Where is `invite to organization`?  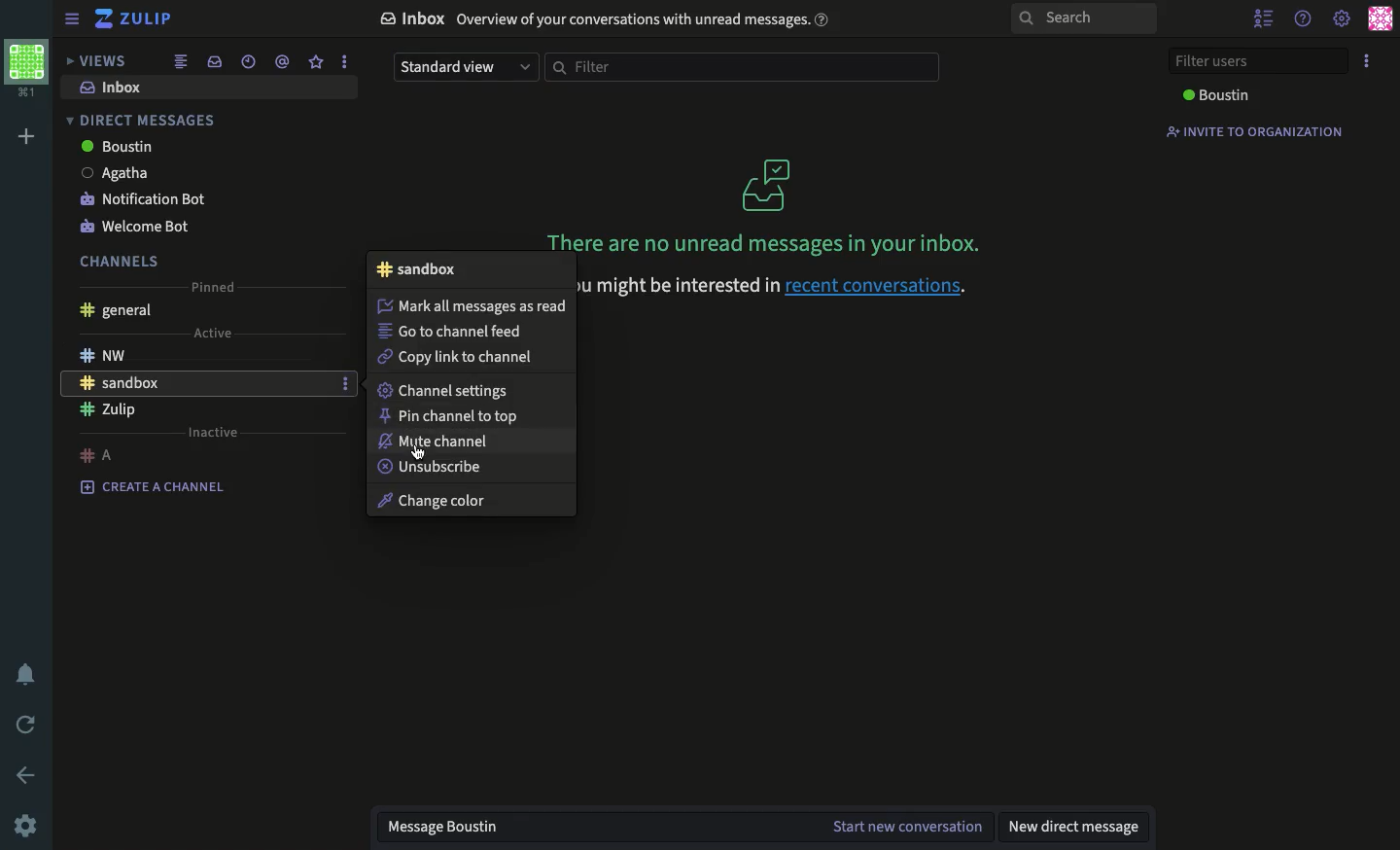
invite to organization is located at coordinates (1251, 130).